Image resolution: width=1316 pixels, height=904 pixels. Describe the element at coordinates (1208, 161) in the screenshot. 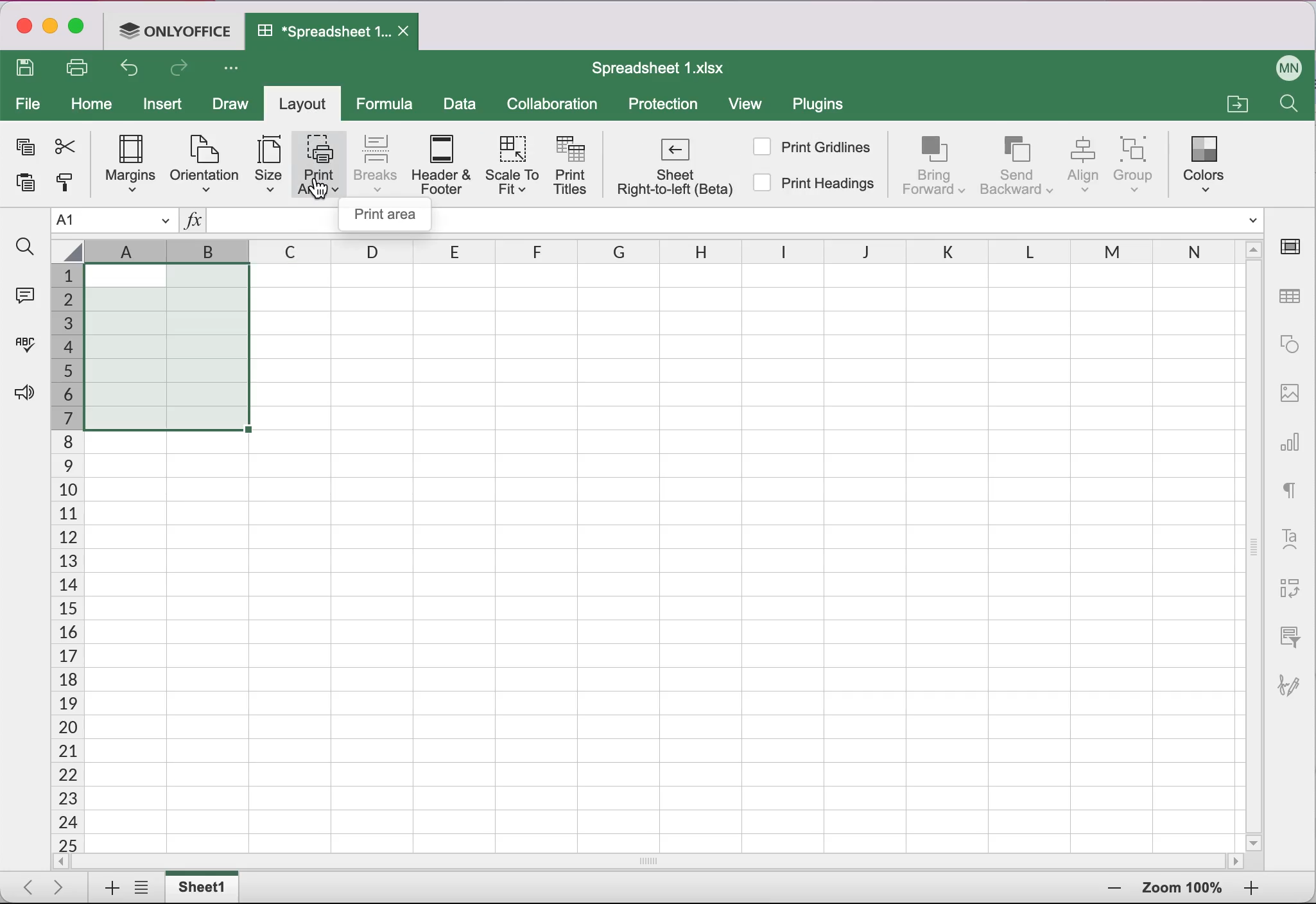

I see `Colors` at that location.